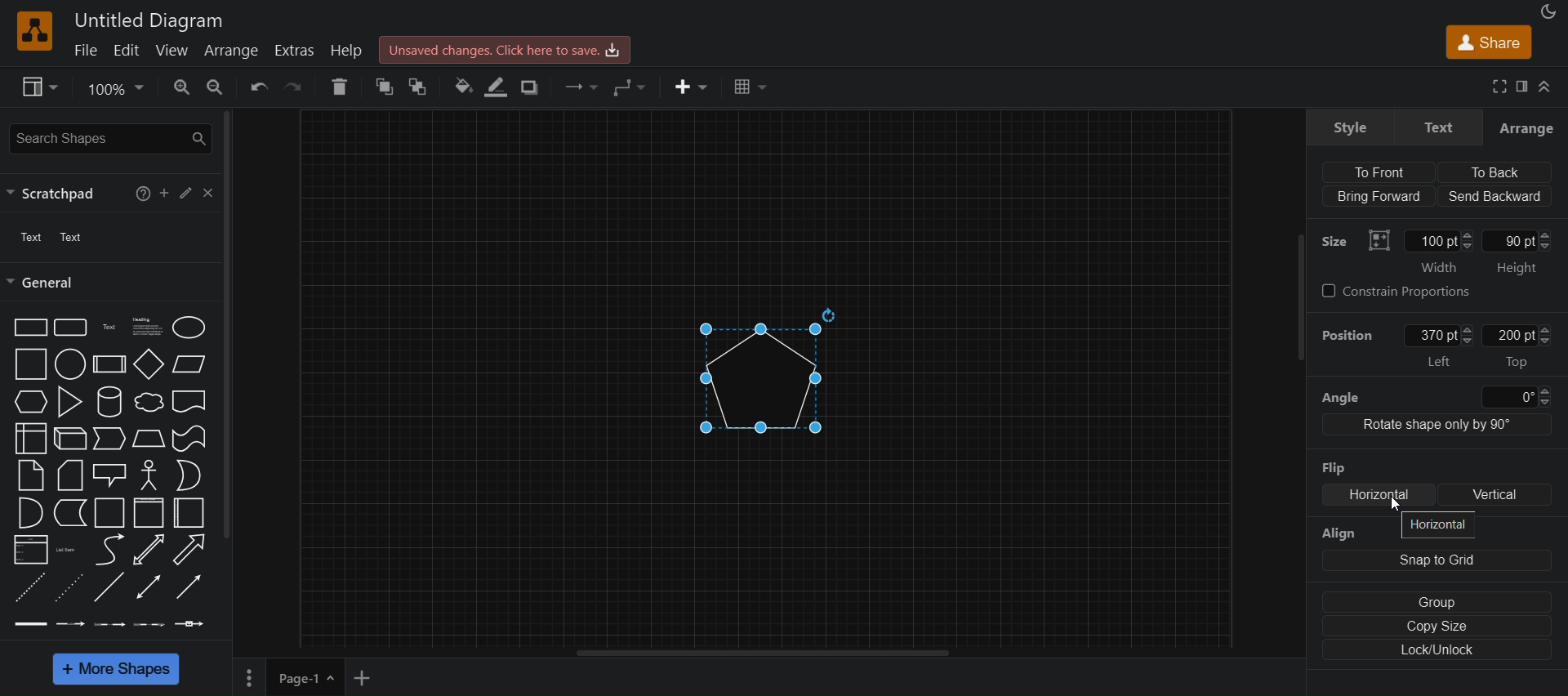  What do you see at coordinates (149, 625) in the screenshot?
I see `Connector with 3 labels` at bounding box center [149, 625].